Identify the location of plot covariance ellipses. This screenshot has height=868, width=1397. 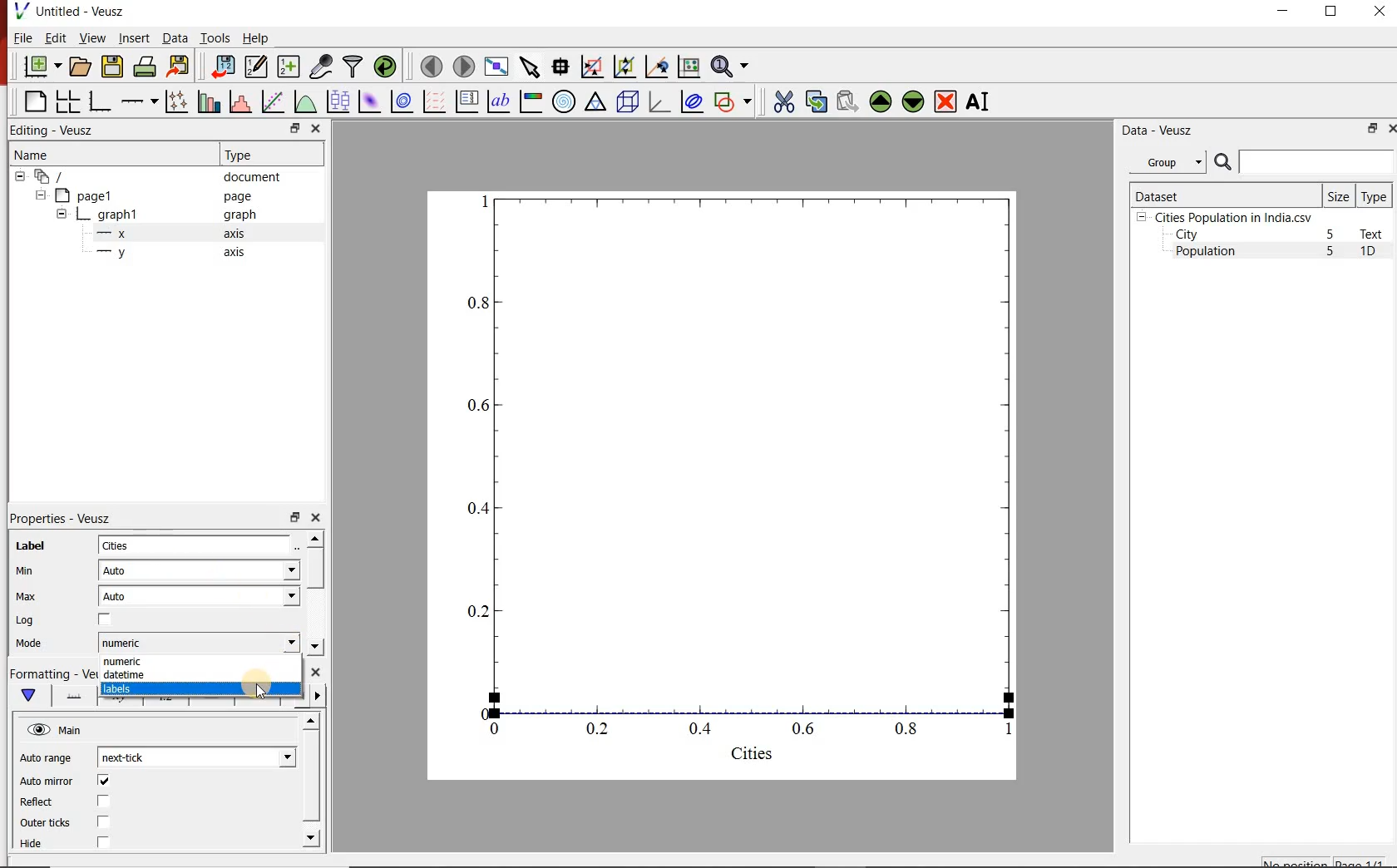
(692, 102).